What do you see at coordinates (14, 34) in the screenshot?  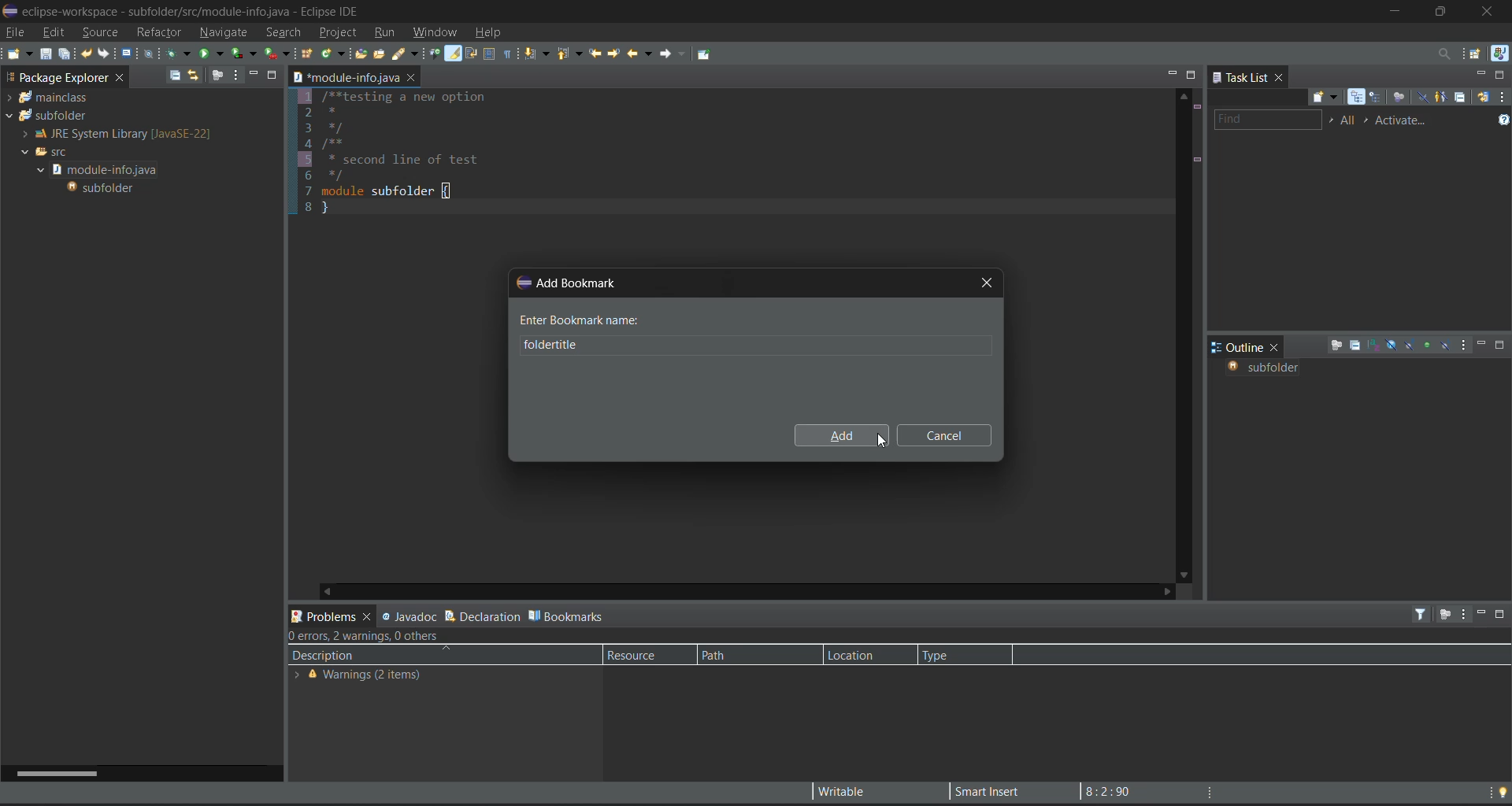 I see `file` at bounding box center [14, 34].